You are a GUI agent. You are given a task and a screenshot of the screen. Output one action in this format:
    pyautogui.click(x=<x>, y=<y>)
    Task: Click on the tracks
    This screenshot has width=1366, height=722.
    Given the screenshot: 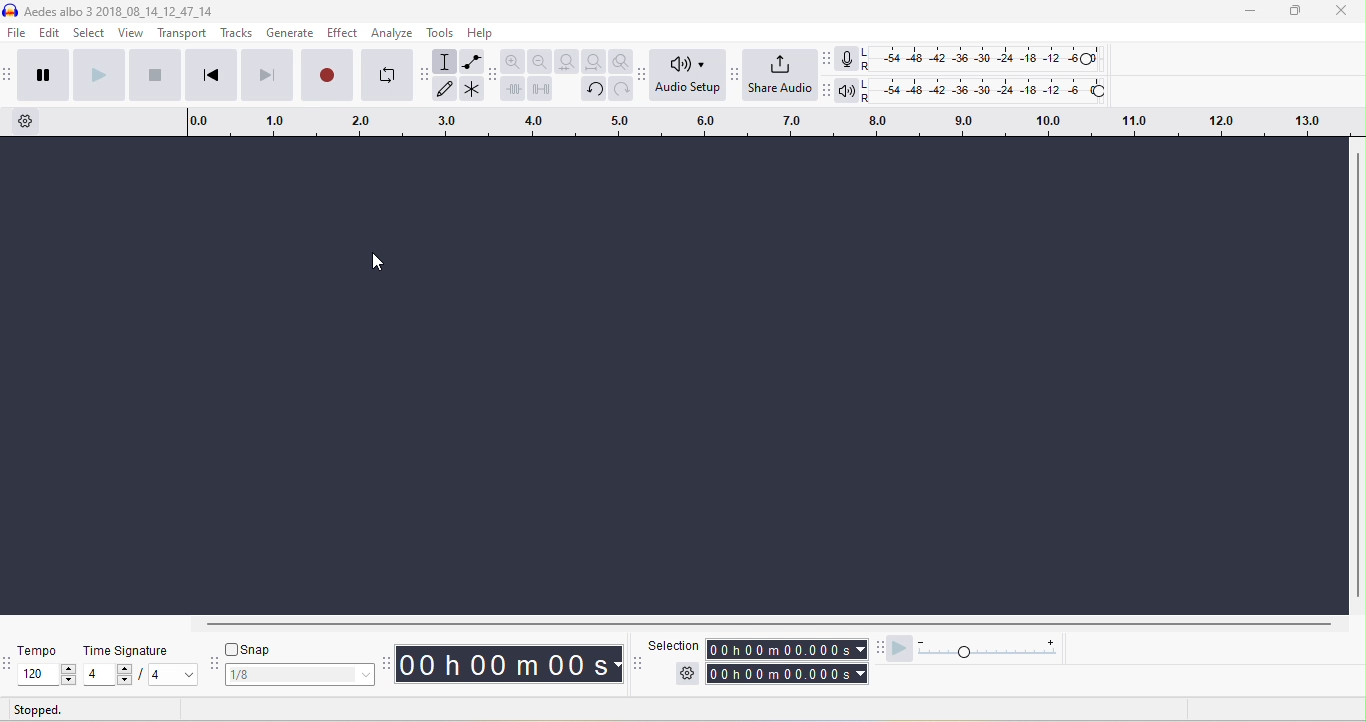 What is the action you would take?
    pyautogui.click(x=236, y=33)
    